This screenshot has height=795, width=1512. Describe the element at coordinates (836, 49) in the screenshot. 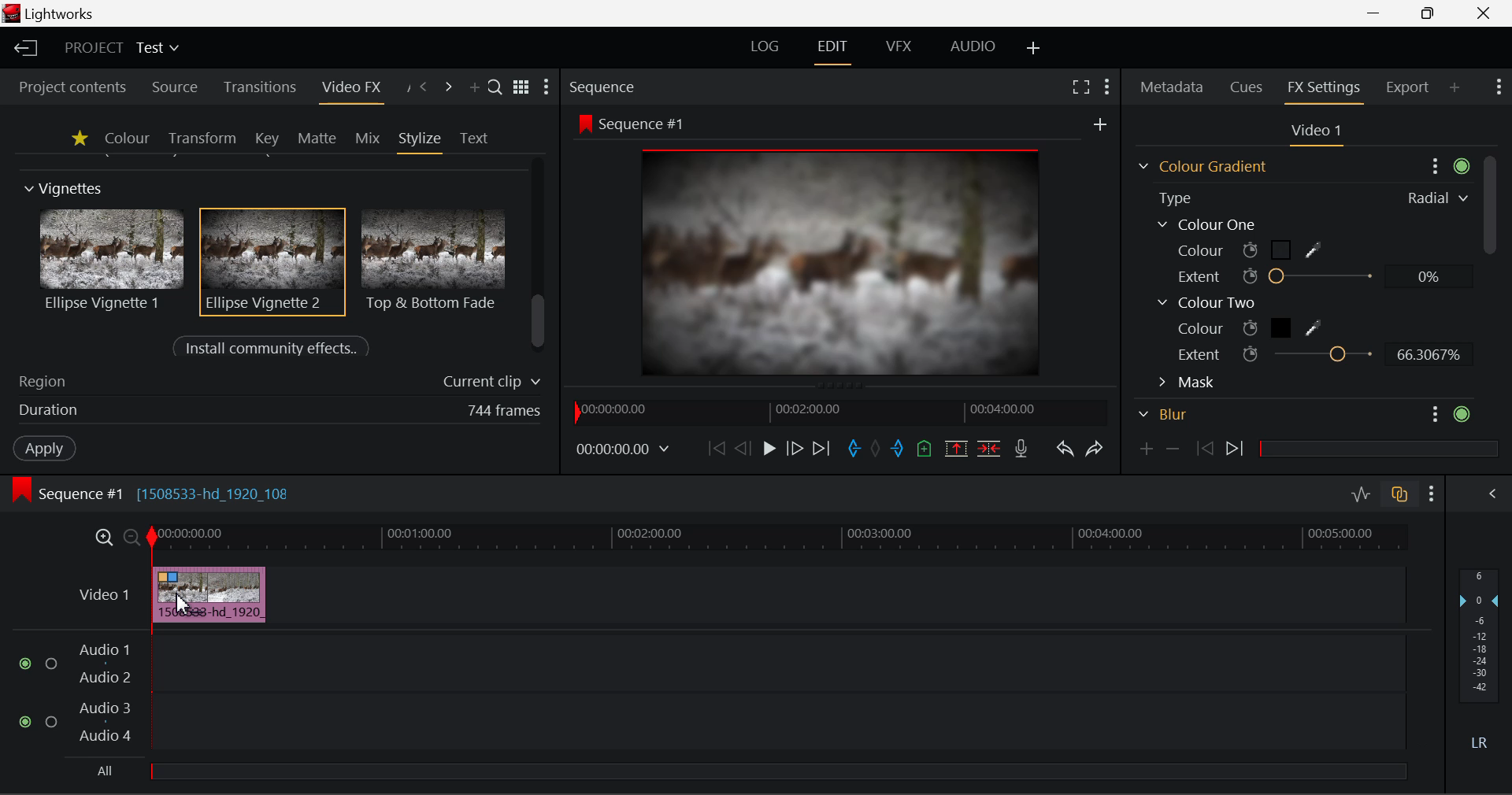

I see `Edit Layout Open` at that location.